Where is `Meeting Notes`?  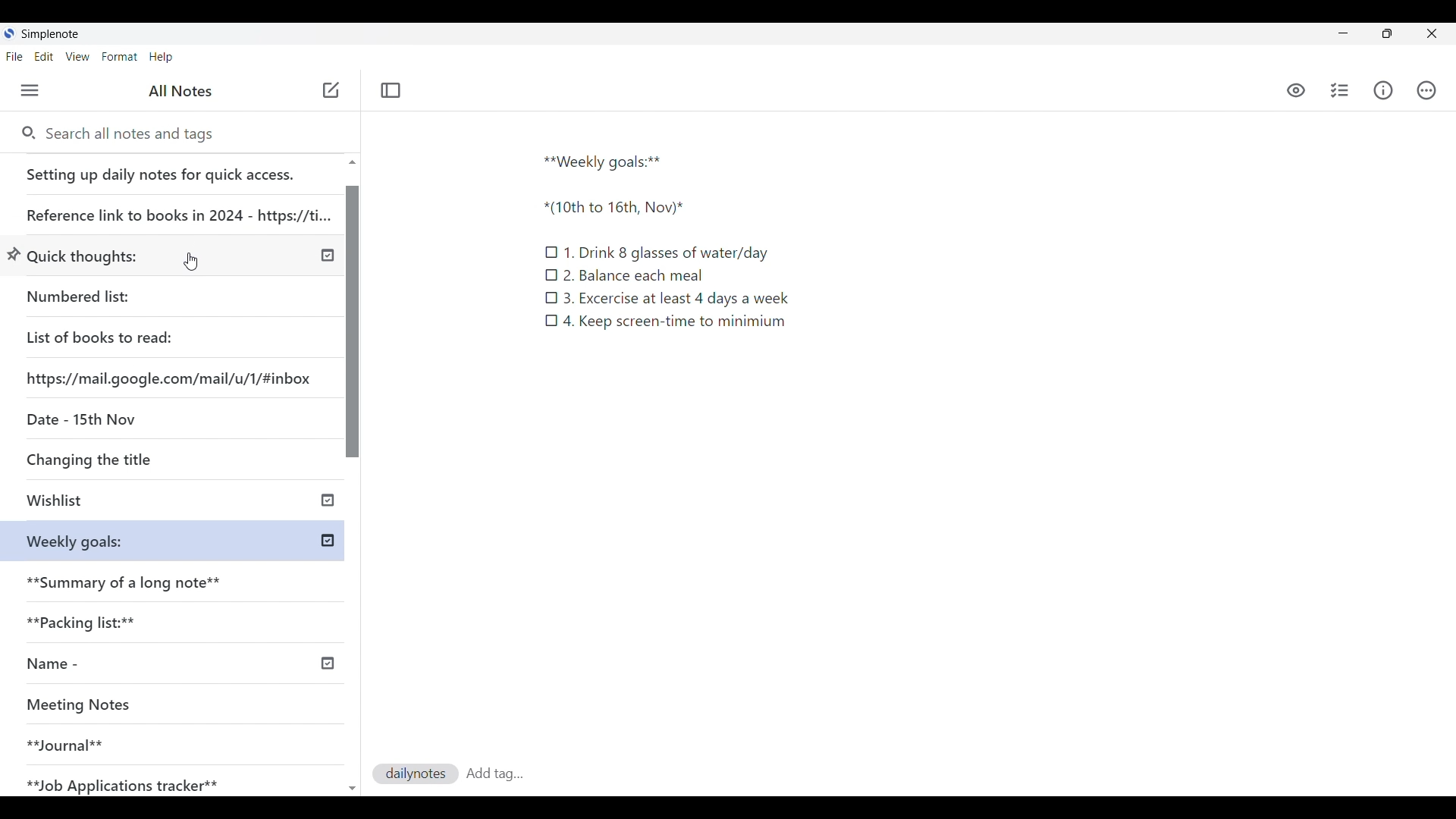 Meeting Notes is located at coordinates (153, 706).